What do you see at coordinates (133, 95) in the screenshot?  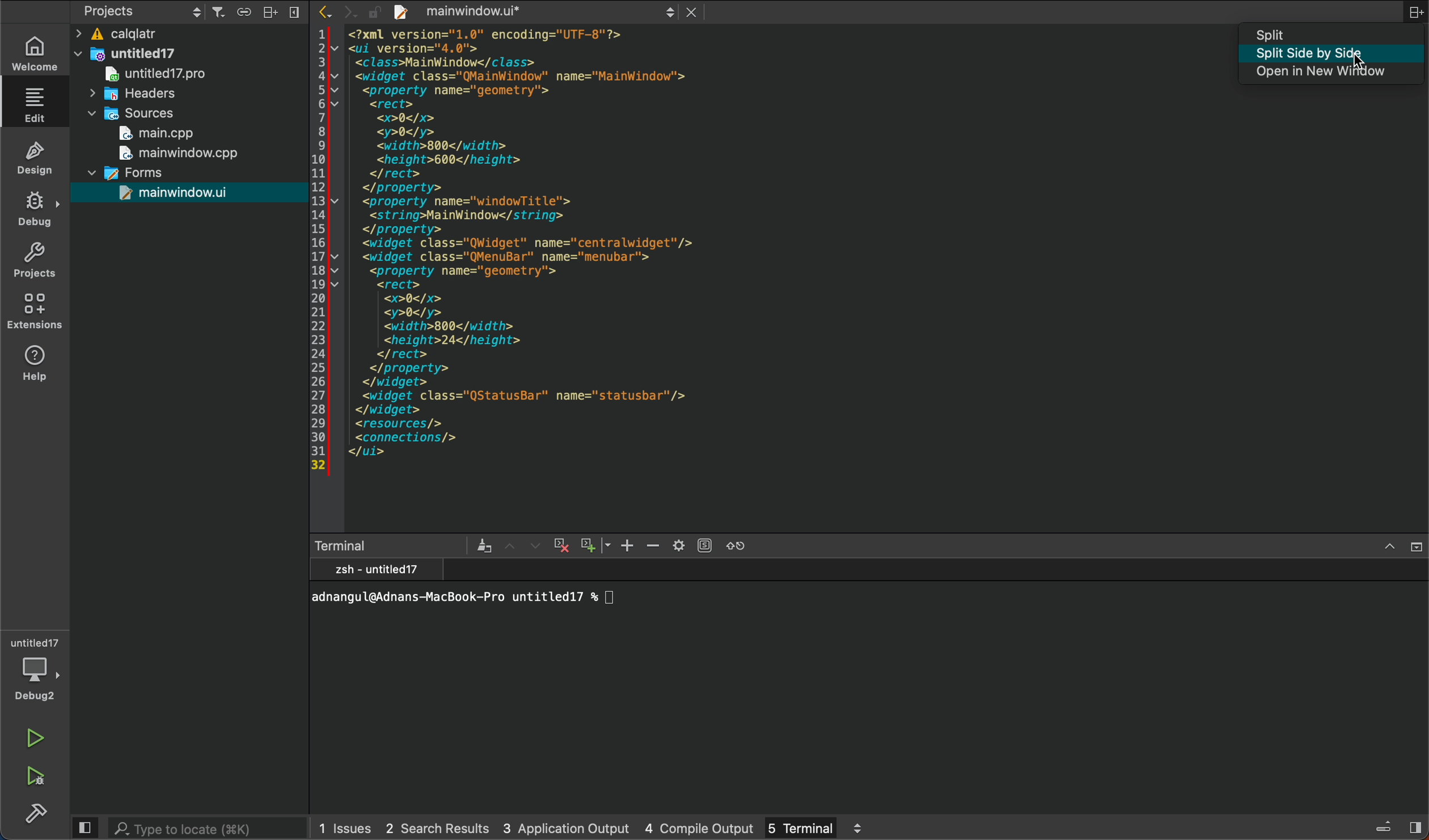 I see `headers` at bounding box center [133, 95].